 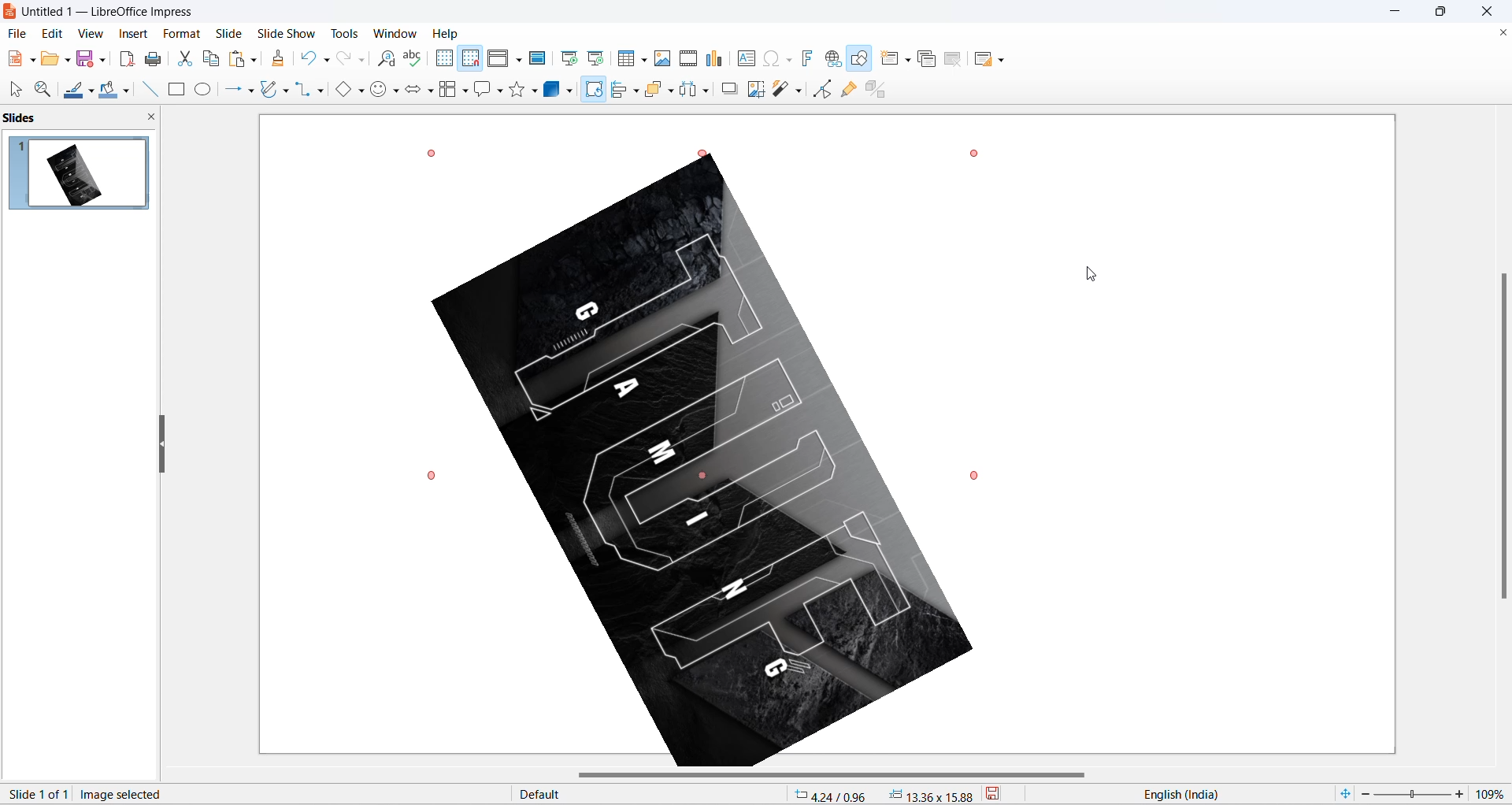 What do you see at coordinates (712, 155) in the screenshot?
I see `image selection markup` at bounding box center [712, 155].